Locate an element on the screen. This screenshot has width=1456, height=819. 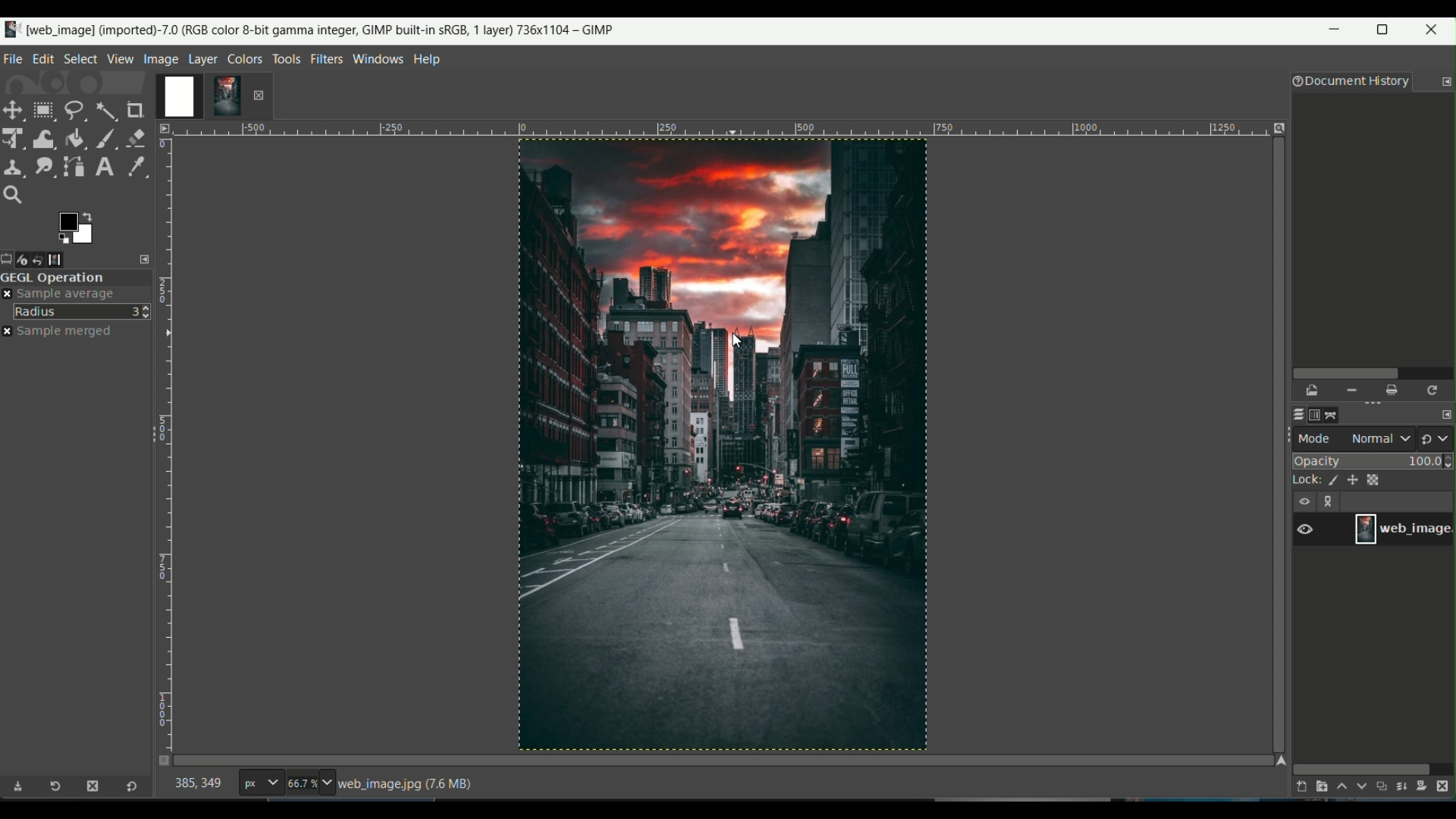
smudge tool is located at coordinates (43, 166).